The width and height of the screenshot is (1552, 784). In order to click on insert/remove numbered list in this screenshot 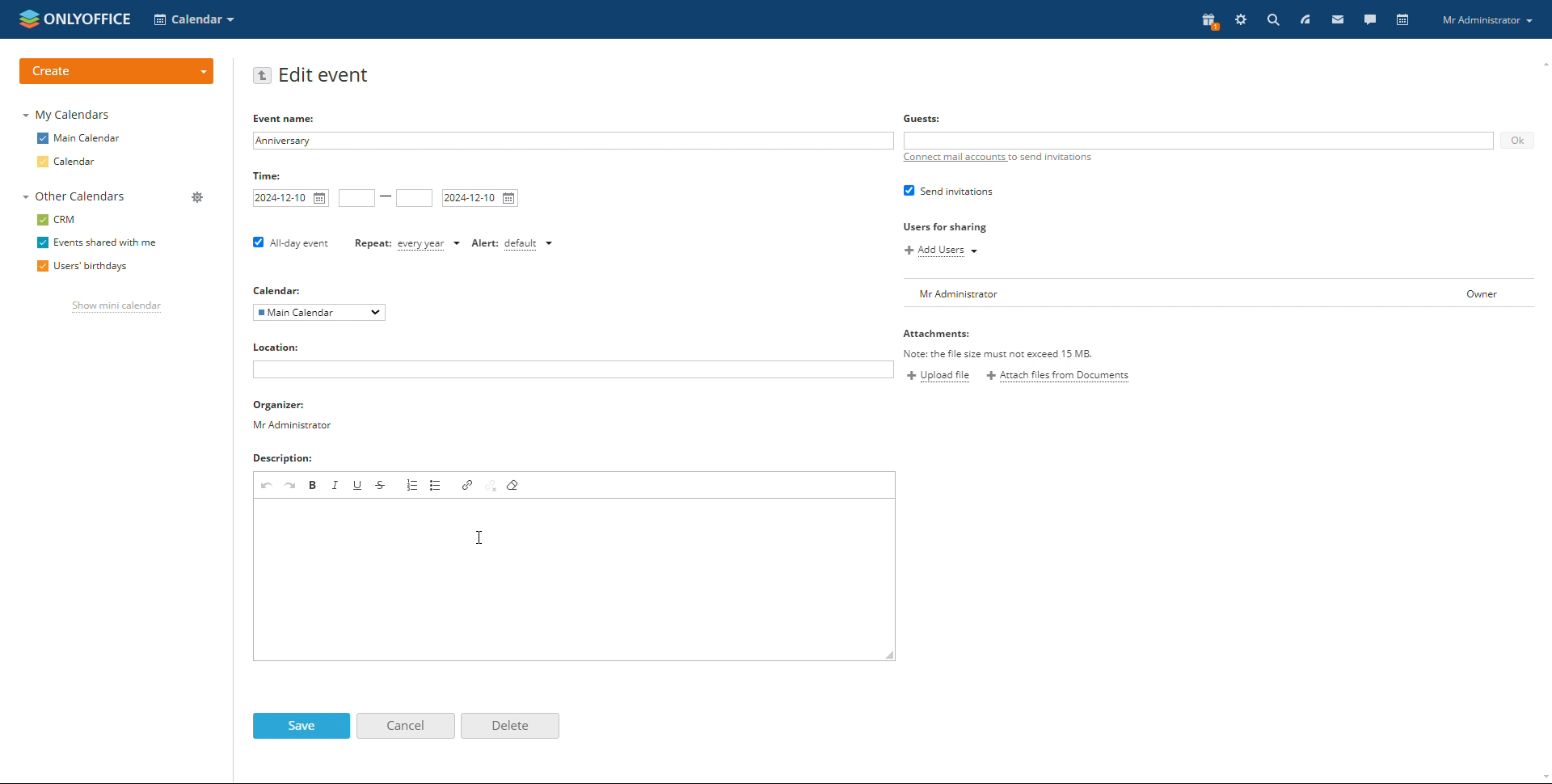, I will do `click(412, 484)`.